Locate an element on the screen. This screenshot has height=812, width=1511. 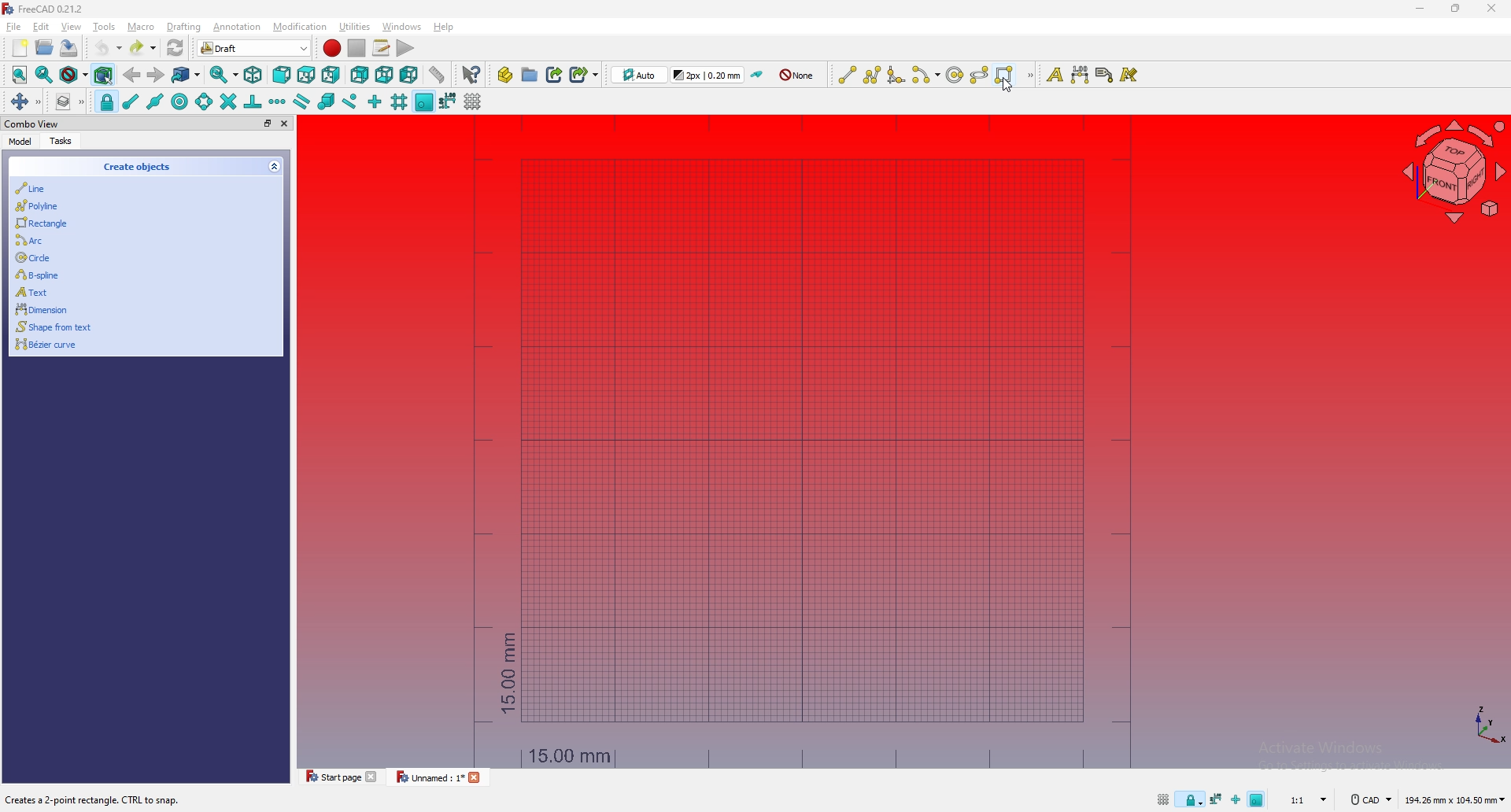
snap parallel is located at coordinates (302, 101).